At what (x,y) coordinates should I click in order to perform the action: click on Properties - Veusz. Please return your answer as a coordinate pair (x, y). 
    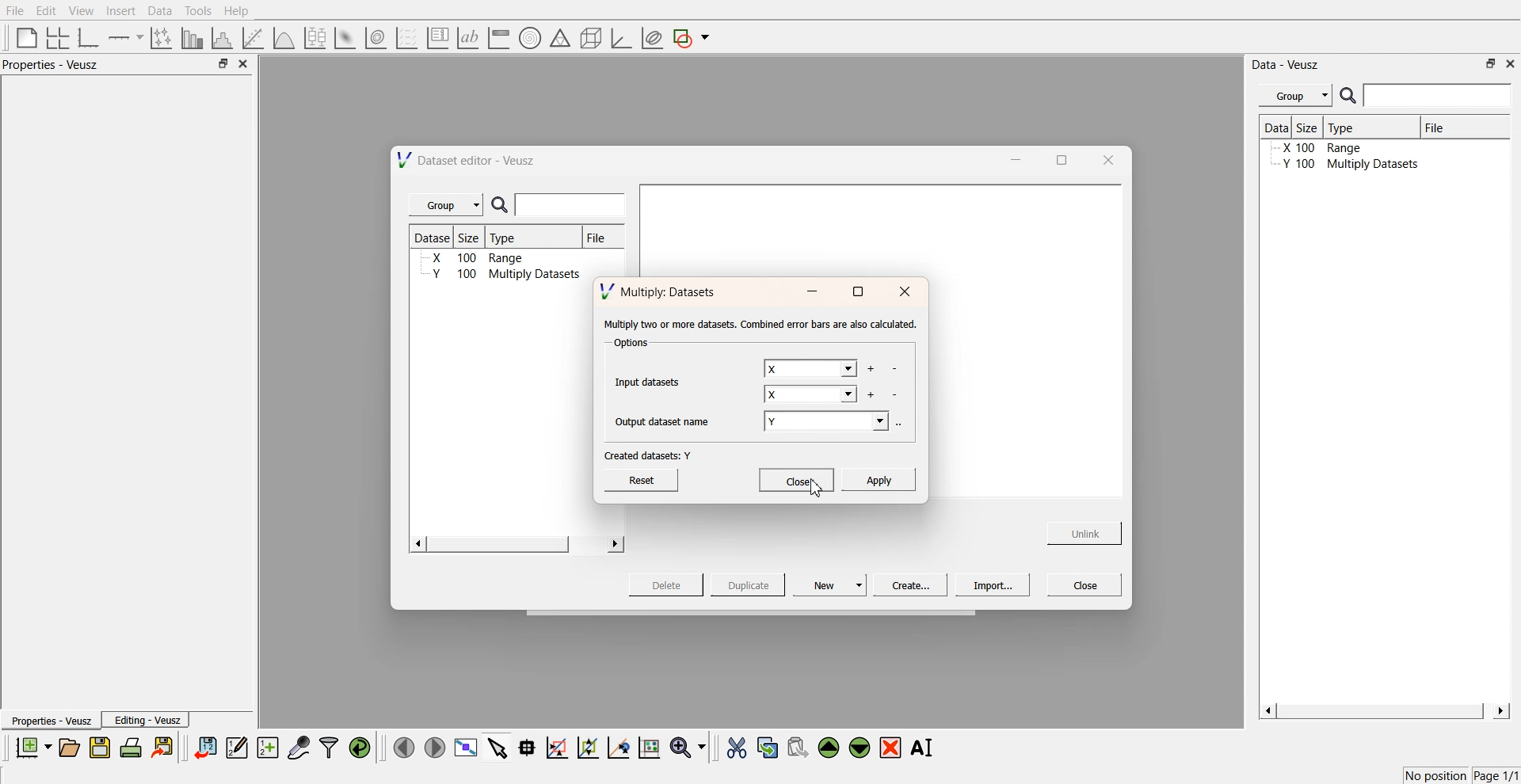
    Looking at the image, I should click on (55, 65).